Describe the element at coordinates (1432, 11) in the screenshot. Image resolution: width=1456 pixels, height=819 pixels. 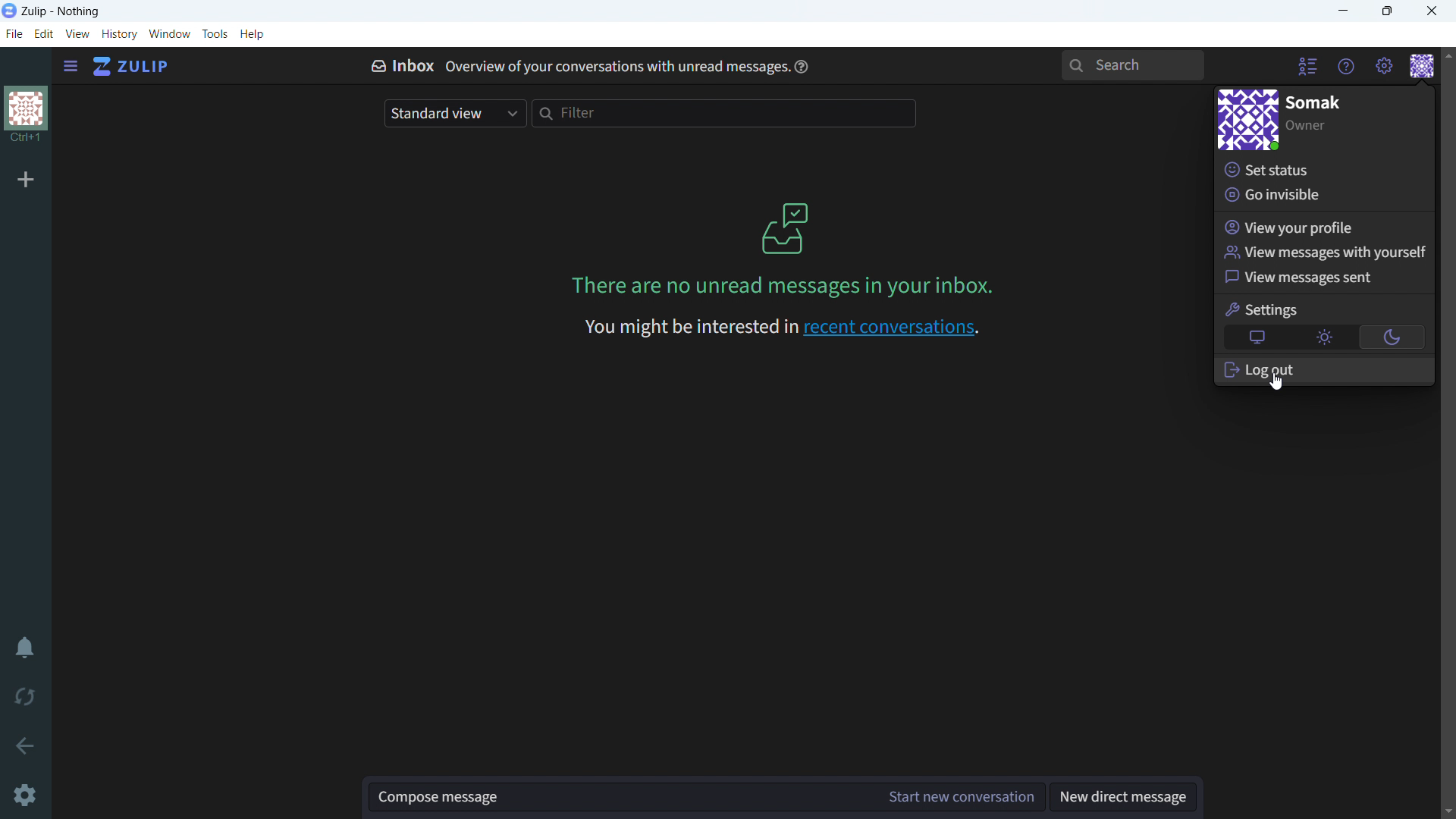
I see `close` at that location.